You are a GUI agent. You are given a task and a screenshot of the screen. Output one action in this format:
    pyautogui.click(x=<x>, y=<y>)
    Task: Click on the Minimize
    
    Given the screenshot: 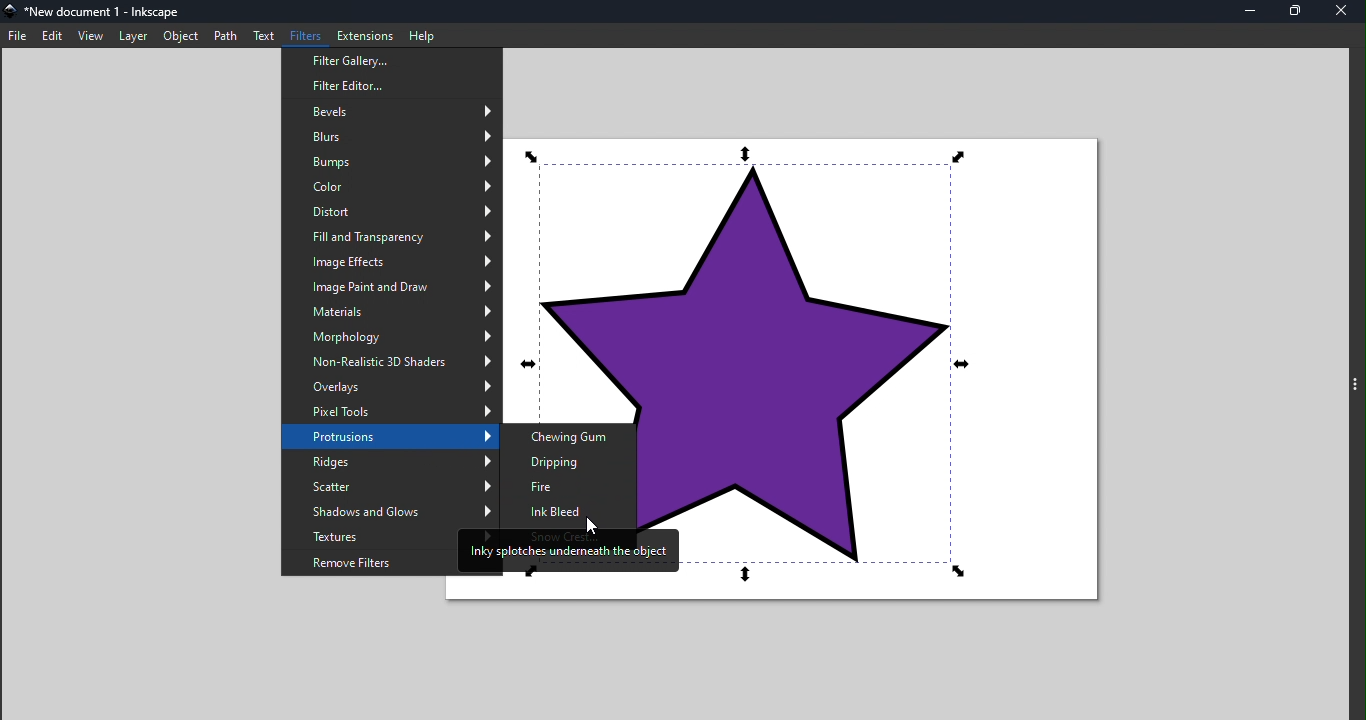 What is the action you would take?
    pyautogui.click(x=1252, y=12)
    